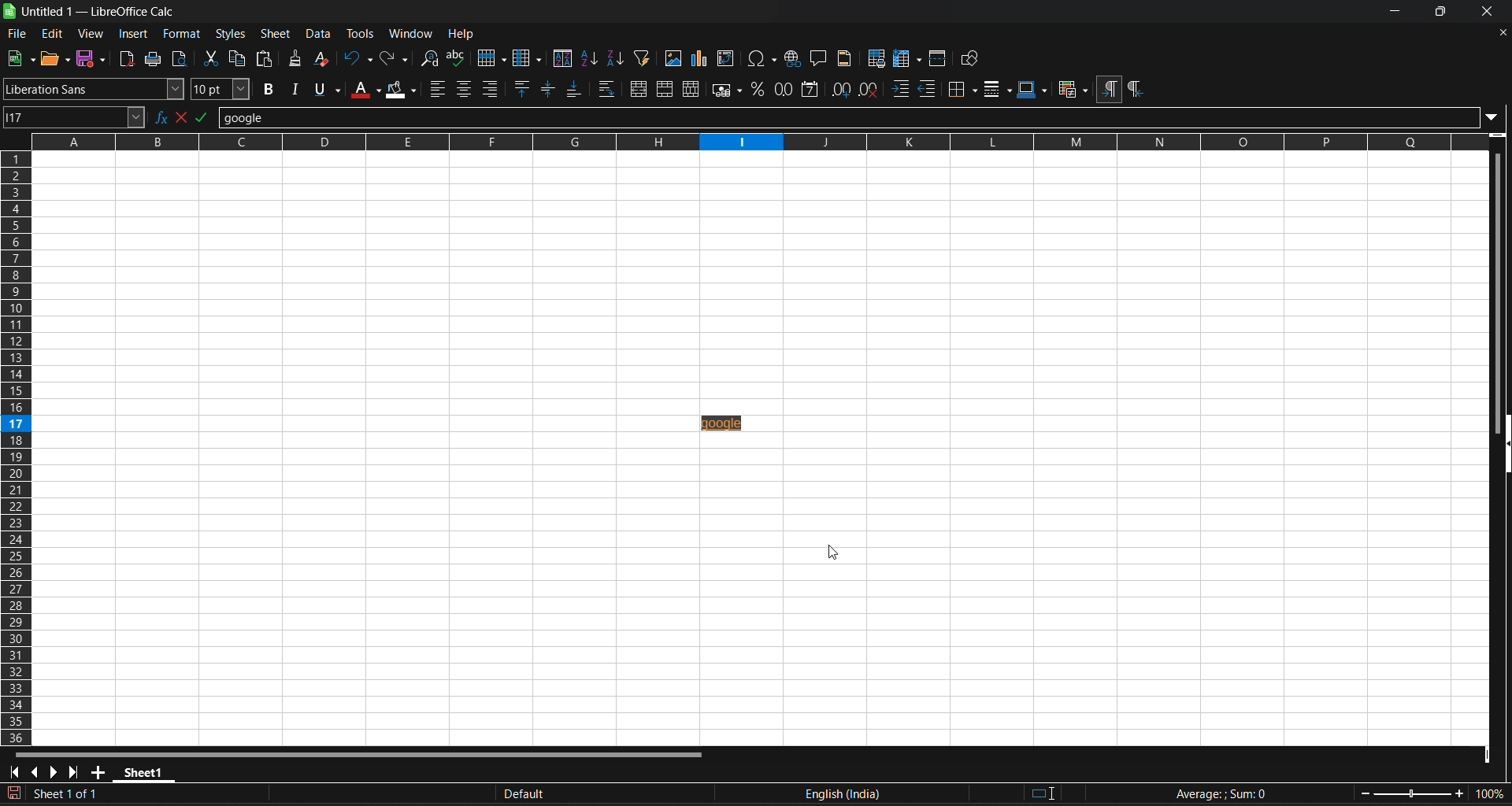 The width and height of the screenshot is (1512, 806). Describe the element at coordinates (646, 794) in the screenshot. I see `default` at that location.